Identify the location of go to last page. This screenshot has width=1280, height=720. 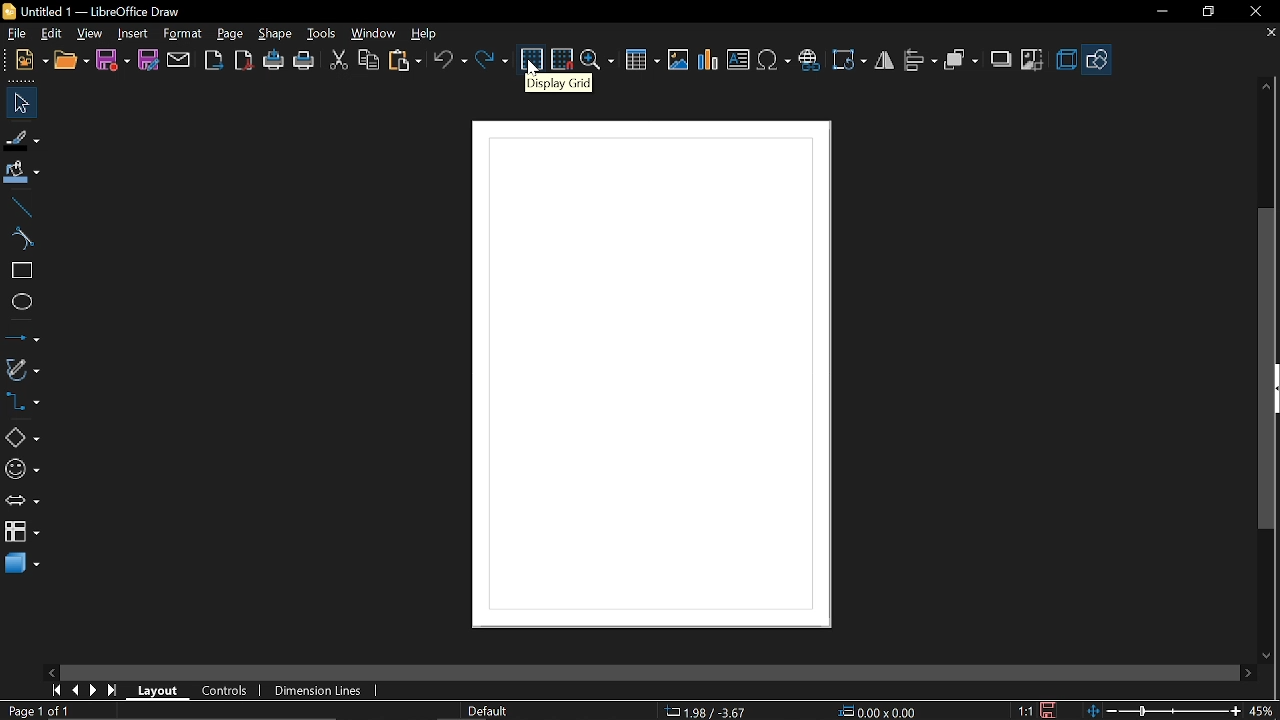
(114, 692).